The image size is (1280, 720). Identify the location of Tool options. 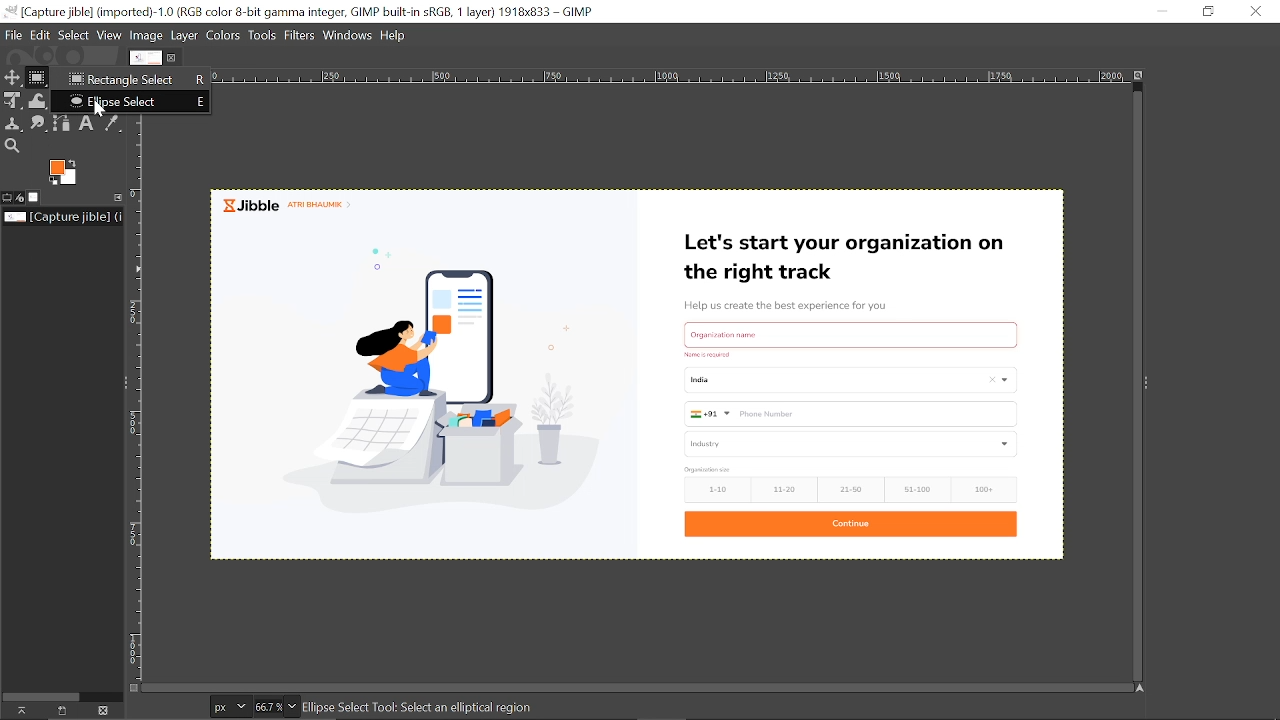
(7, 198).